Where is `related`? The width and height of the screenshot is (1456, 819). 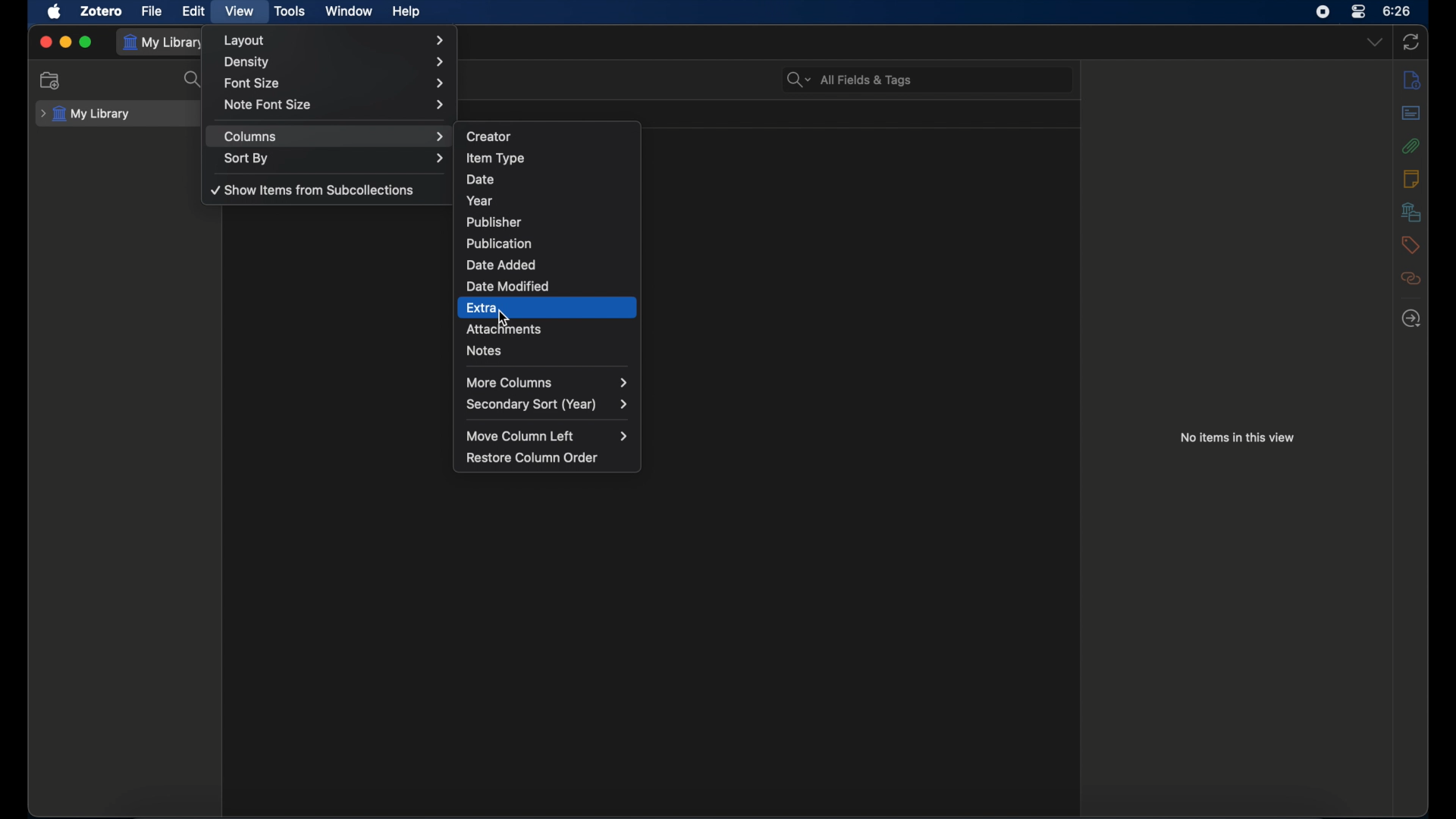 related is located at coordinates (1410, 278).